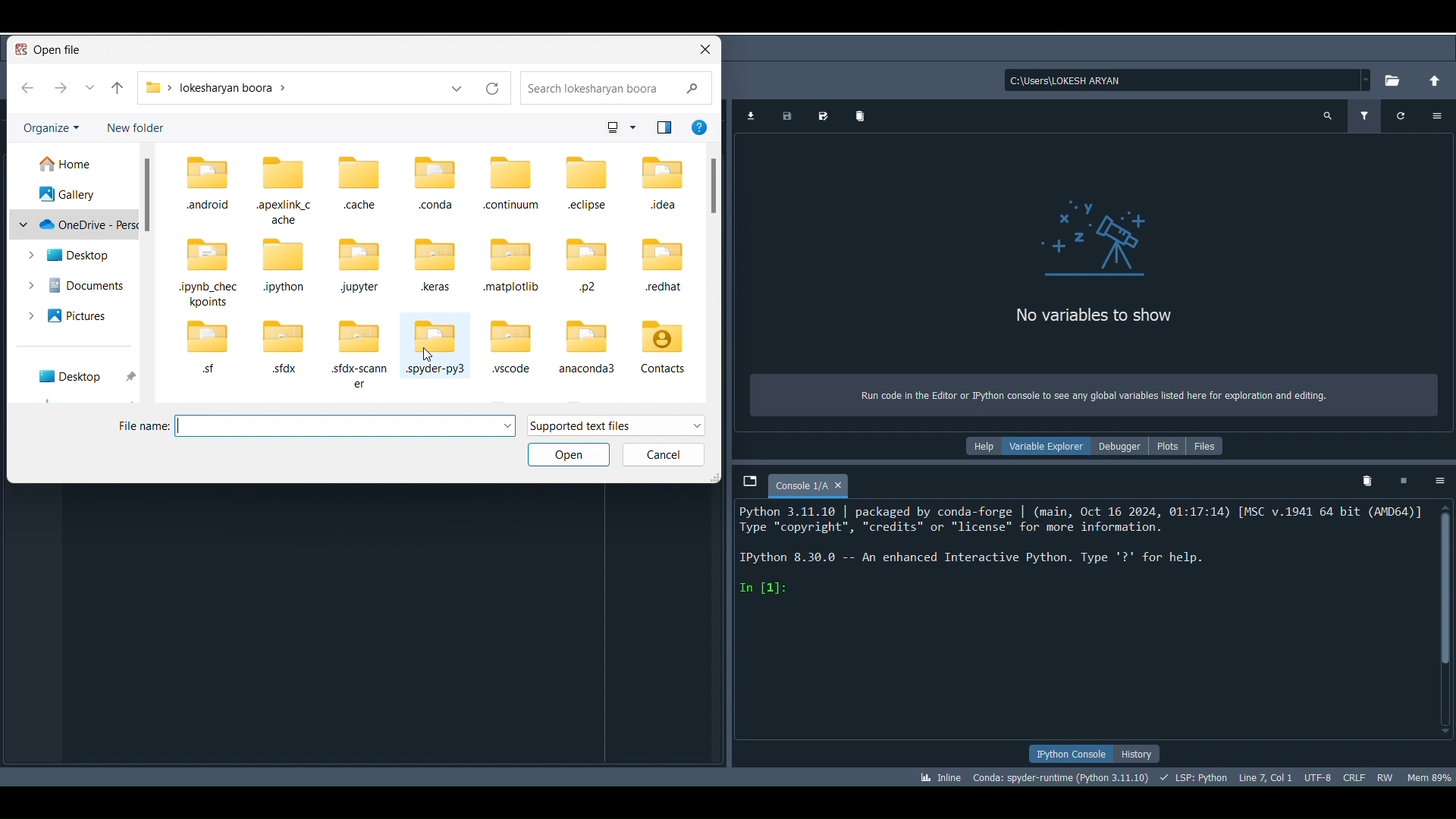 This screenshot has width=1456, height=819. What do you see at coordinates (1382, 777) in the screenshot?
I see `File permissions` at bounding box center [1382, 777].